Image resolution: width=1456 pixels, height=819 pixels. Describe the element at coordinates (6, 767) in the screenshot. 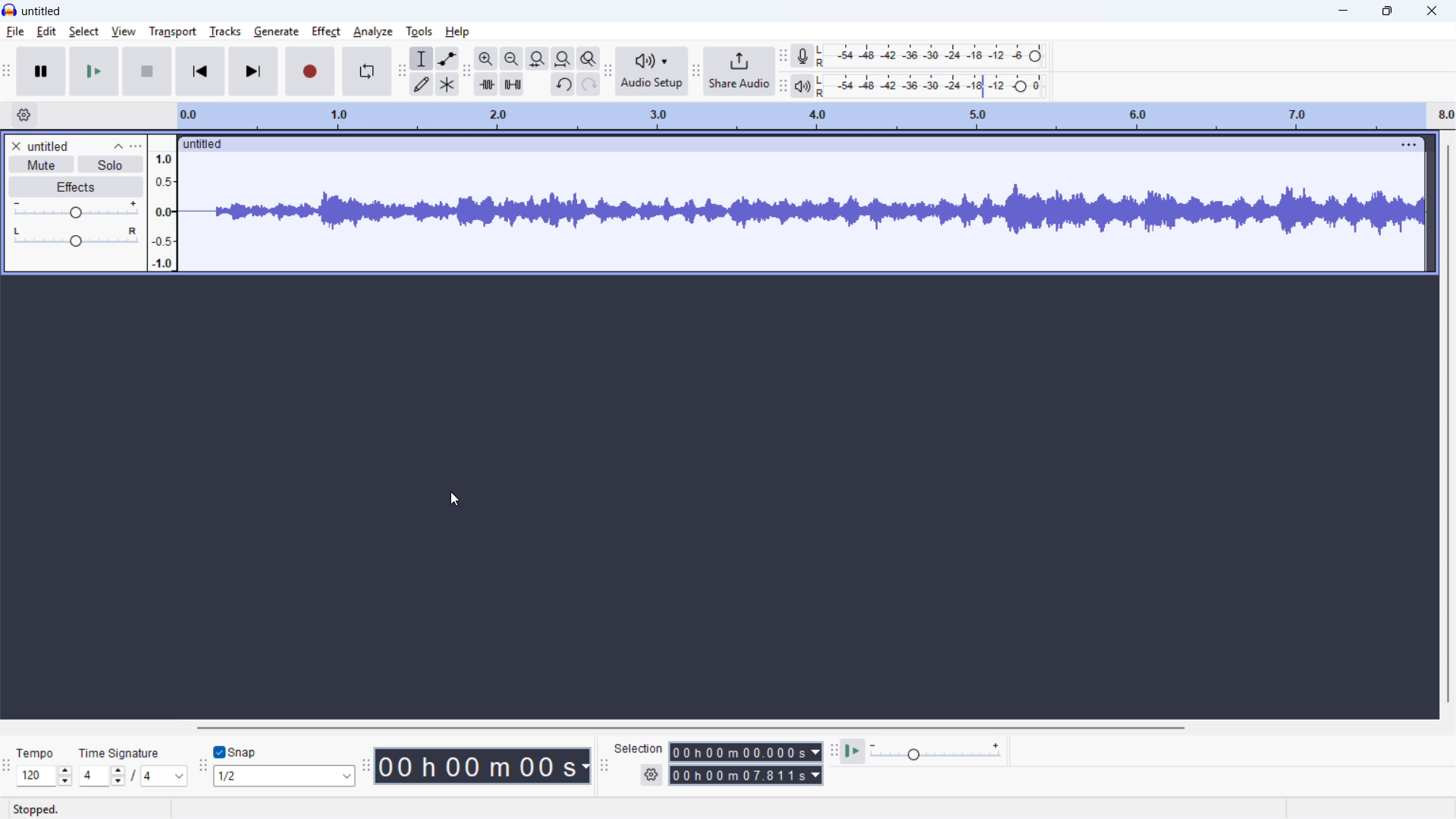

I see `time signature toolbar` at that location.